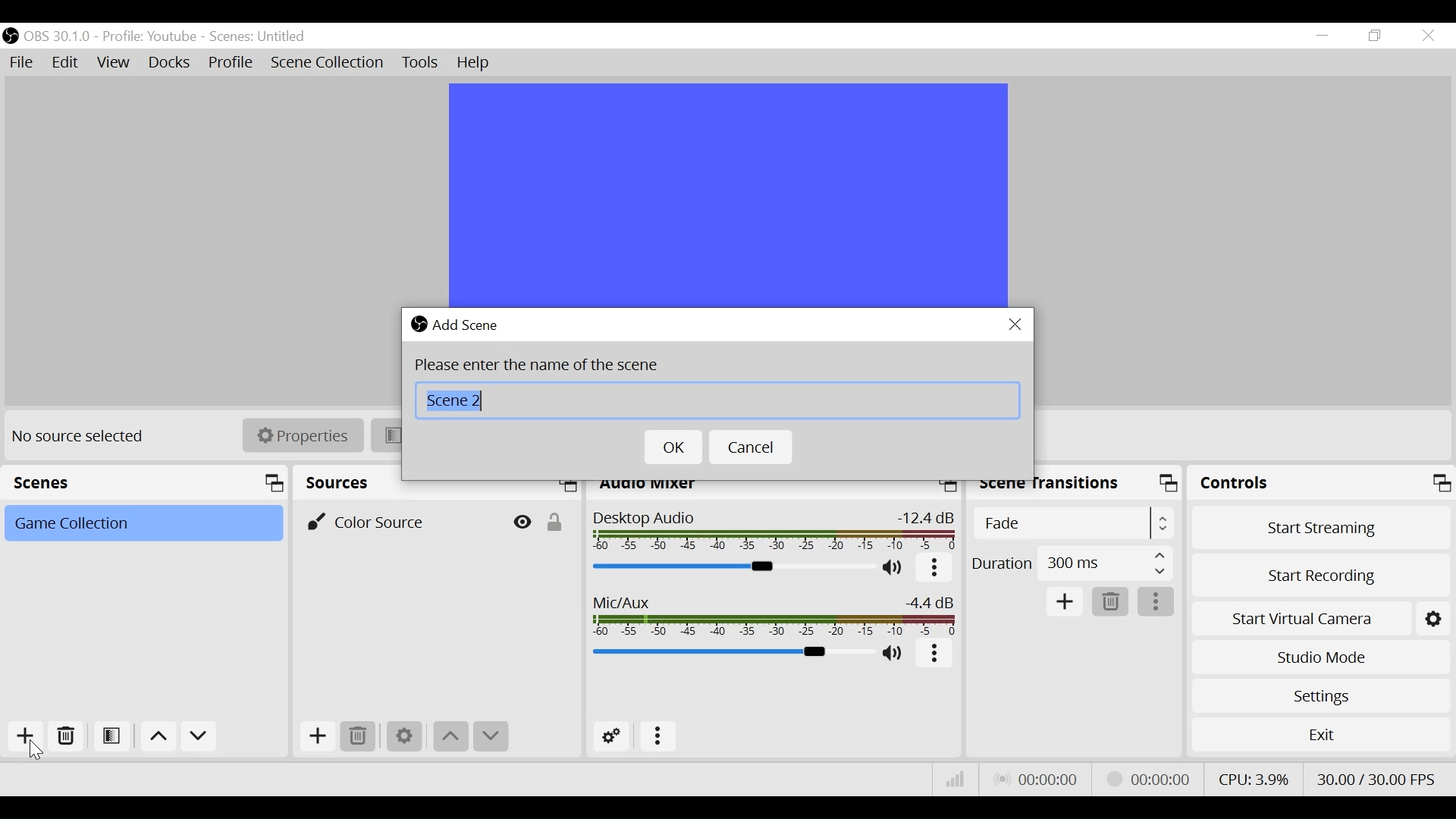 This screenshot has width=1456, height=819. I want to click on Studio Mode, so click(1321, 657).